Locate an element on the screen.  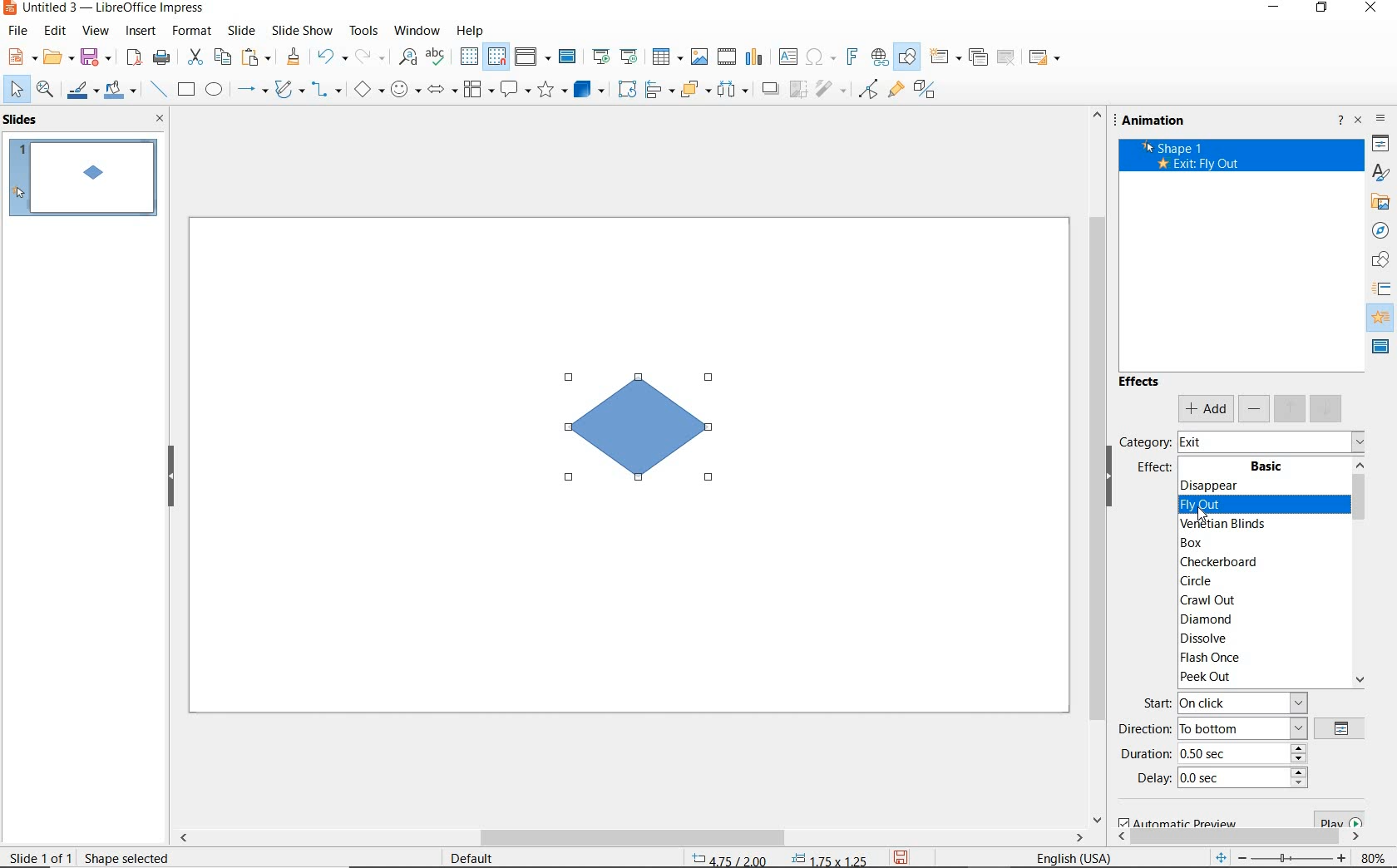
remove effect is located at coordinates (1254, 409).